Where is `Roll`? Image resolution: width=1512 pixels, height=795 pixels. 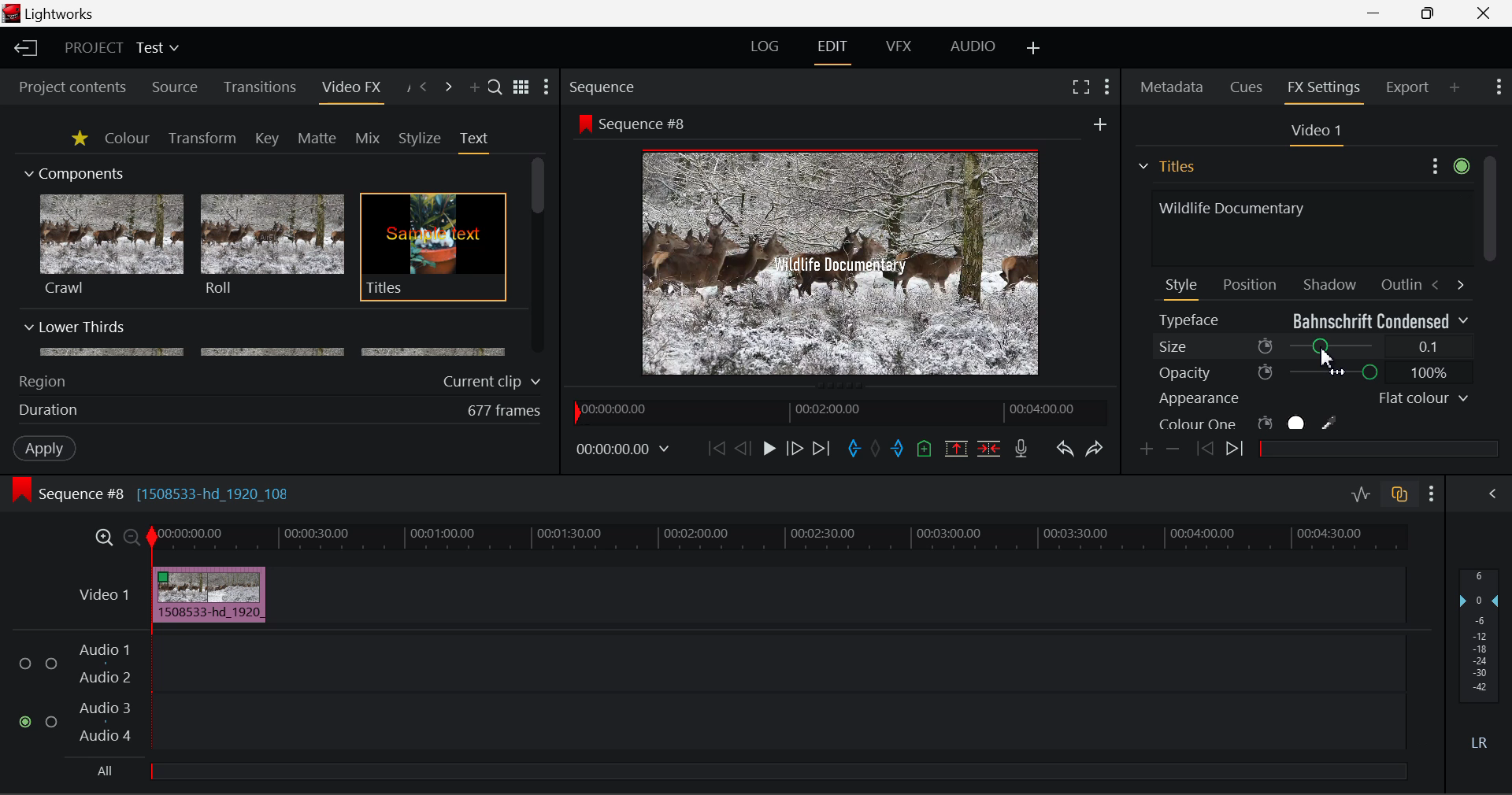 Roll is located at coordinates (271, 246).